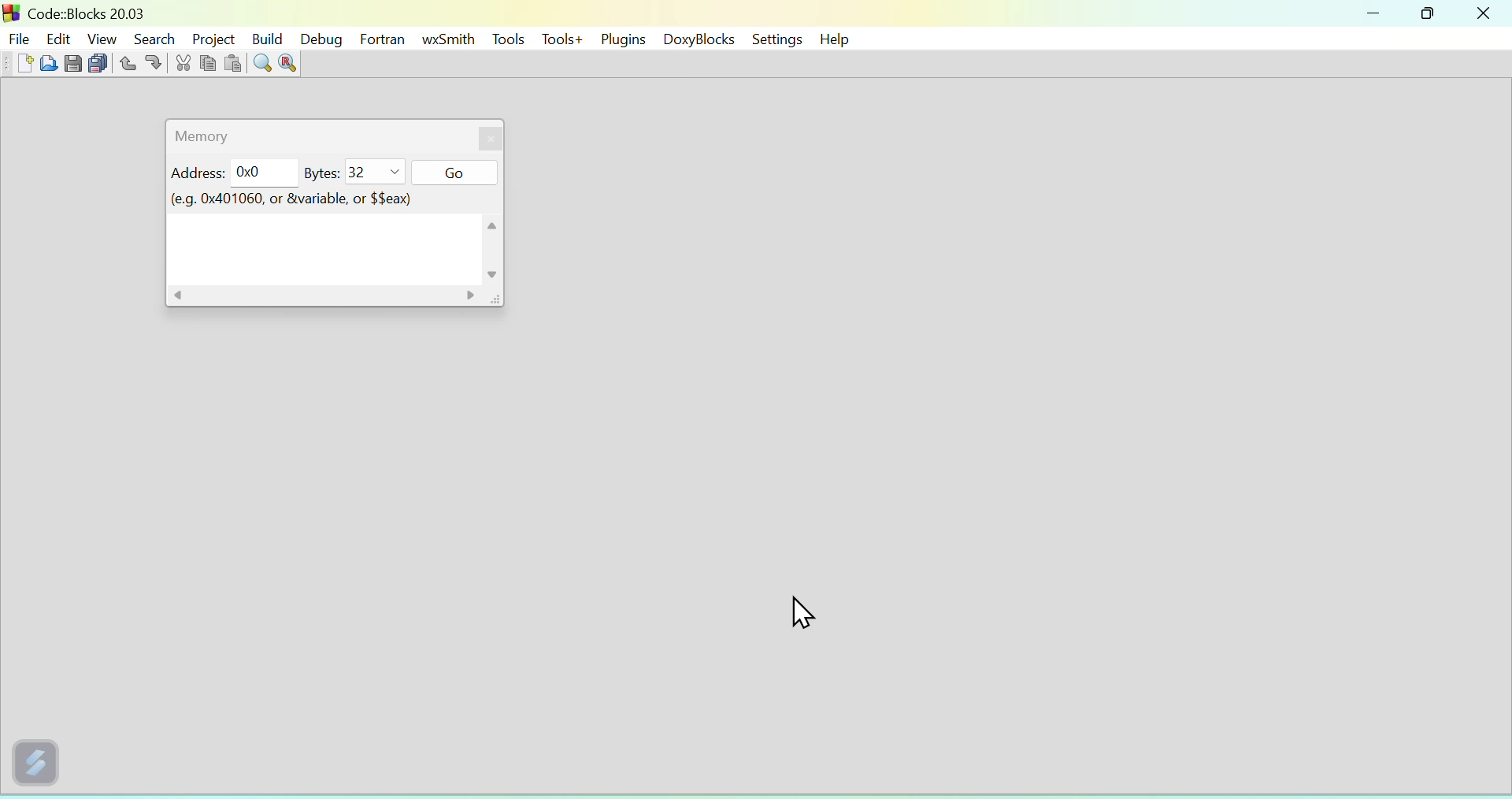 Image resolution: width=1512 pixels, height=799 pixels. Describe the element at coordinates (102, 37) in the screenshot. I see `View` at that location.